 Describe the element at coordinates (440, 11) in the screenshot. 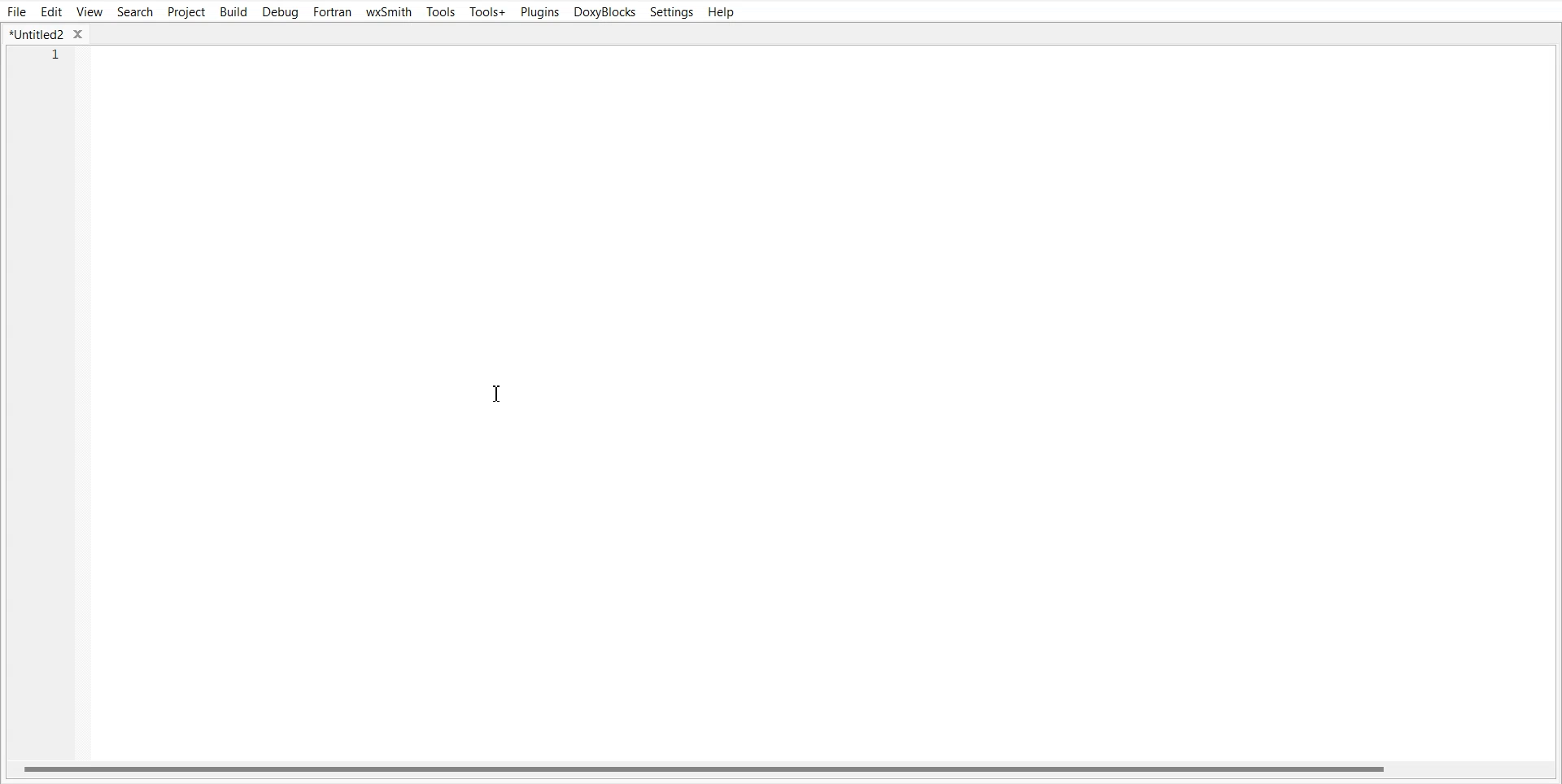

I see `Tools` at that location.